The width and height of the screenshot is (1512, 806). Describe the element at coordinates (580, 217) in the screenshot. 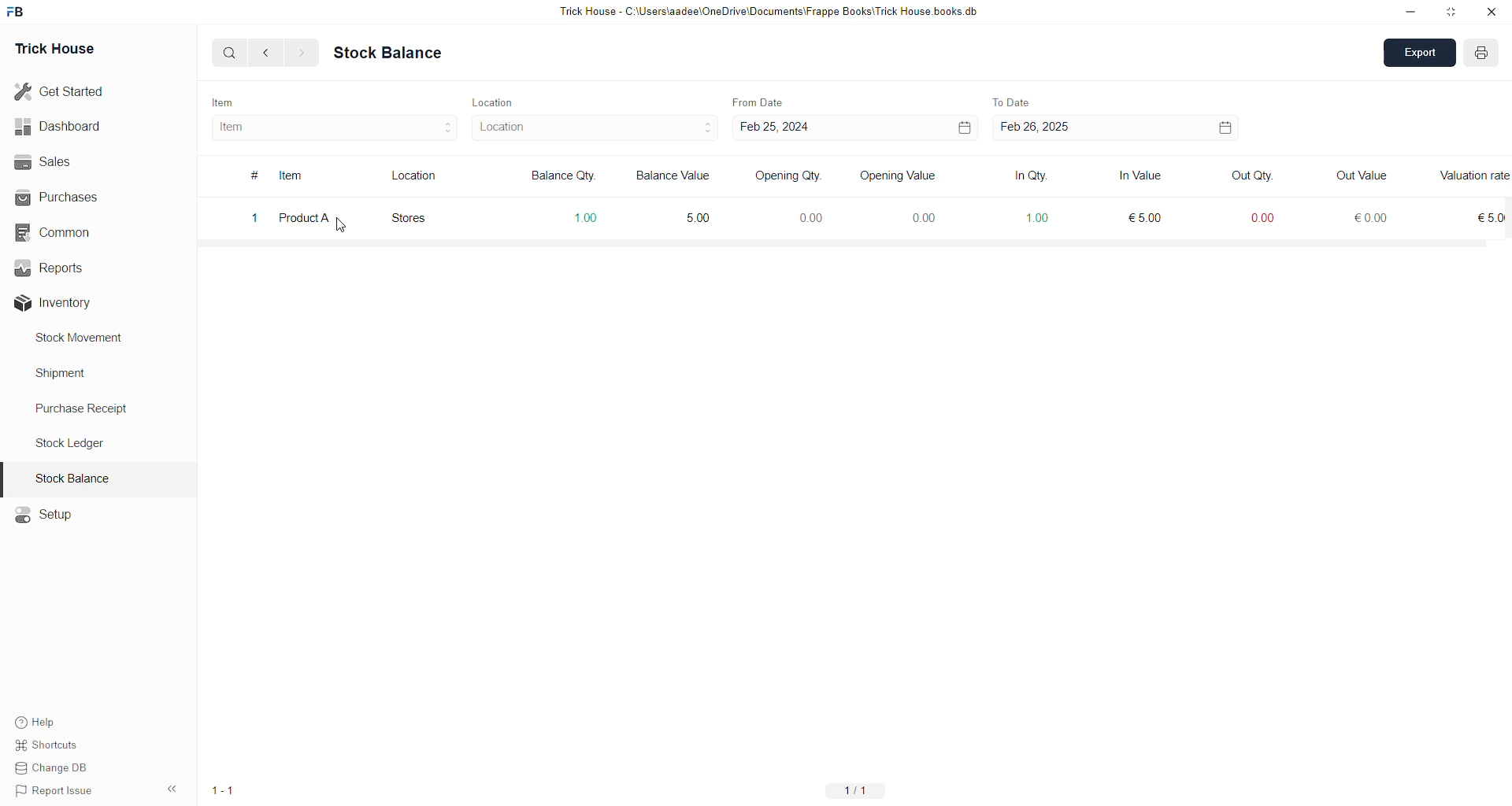

I see `1.00` at that location.